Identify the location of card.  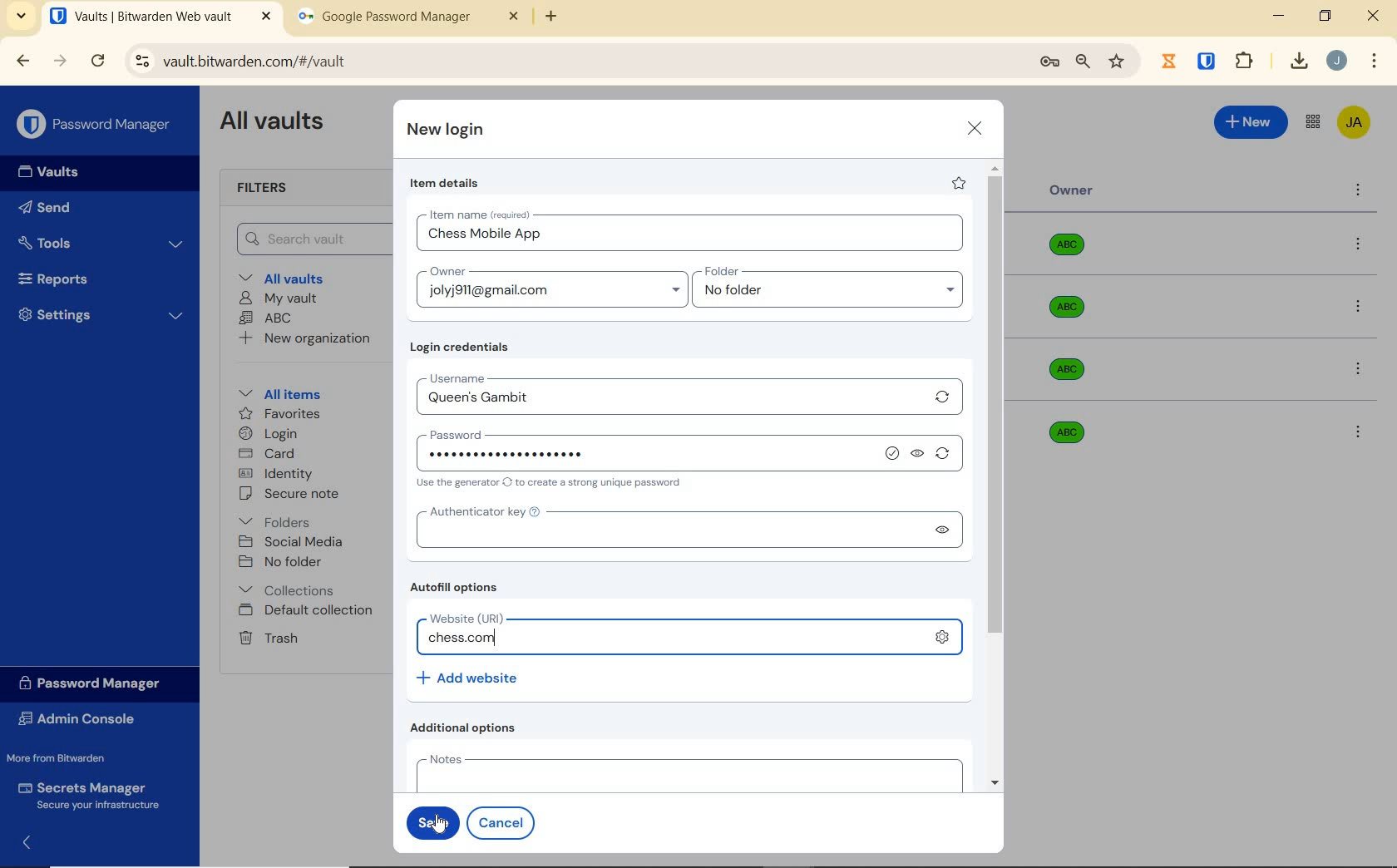
(266, 455).